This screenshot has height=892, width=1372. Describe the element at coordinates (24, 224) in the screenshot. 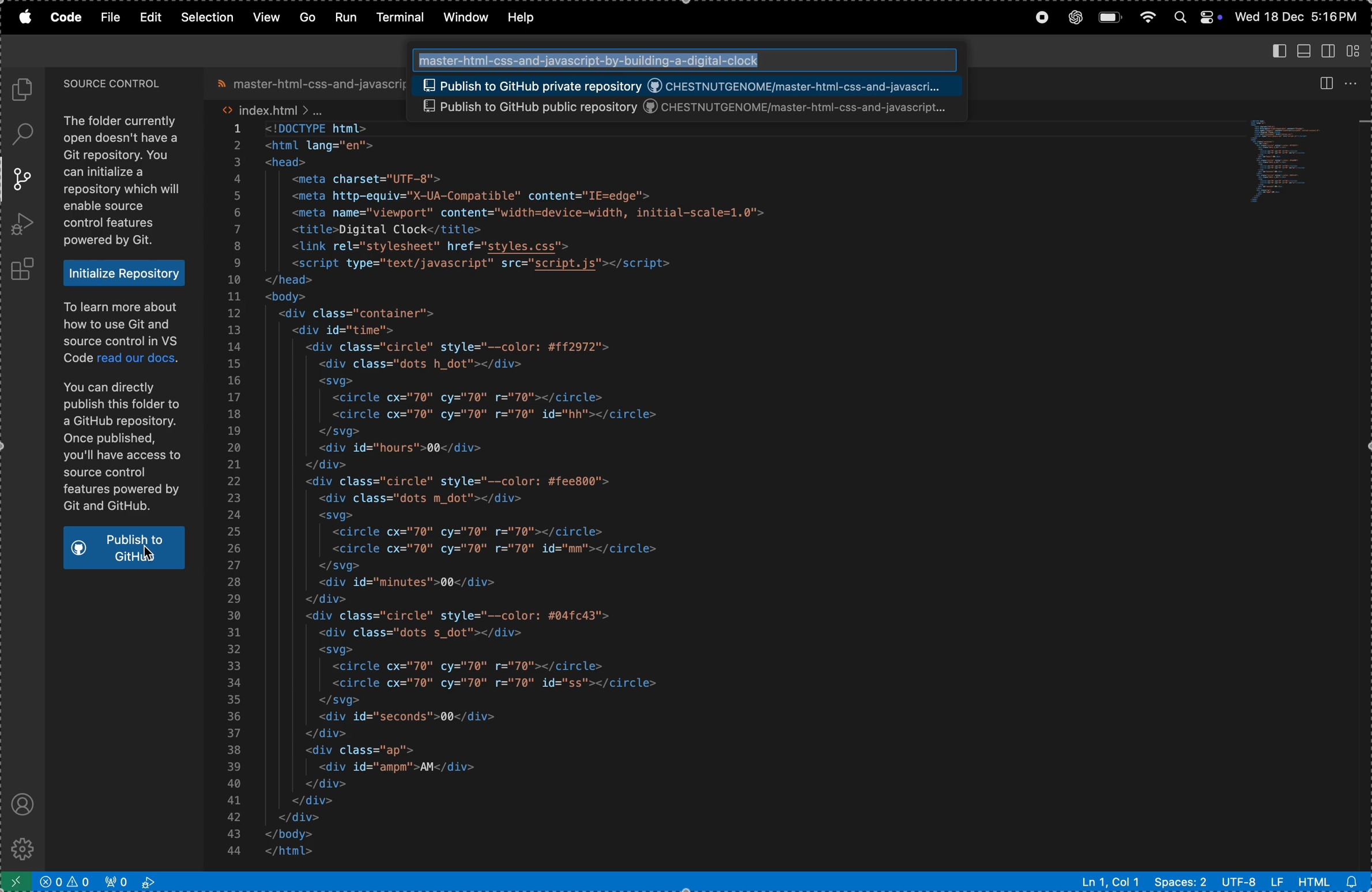

I see `run and debug` at that location.